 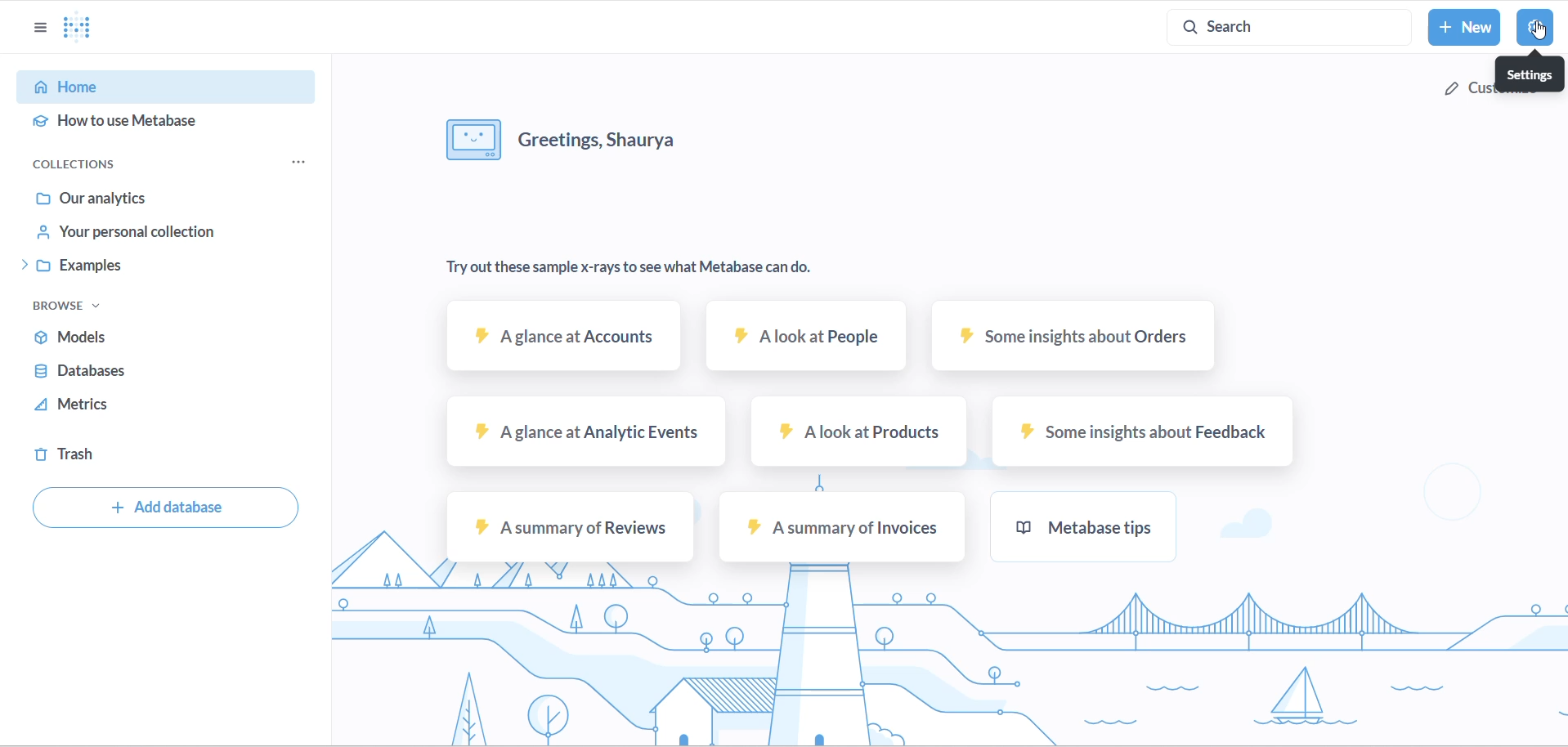 I want to click on our analytics, so click(x=146, y=198).